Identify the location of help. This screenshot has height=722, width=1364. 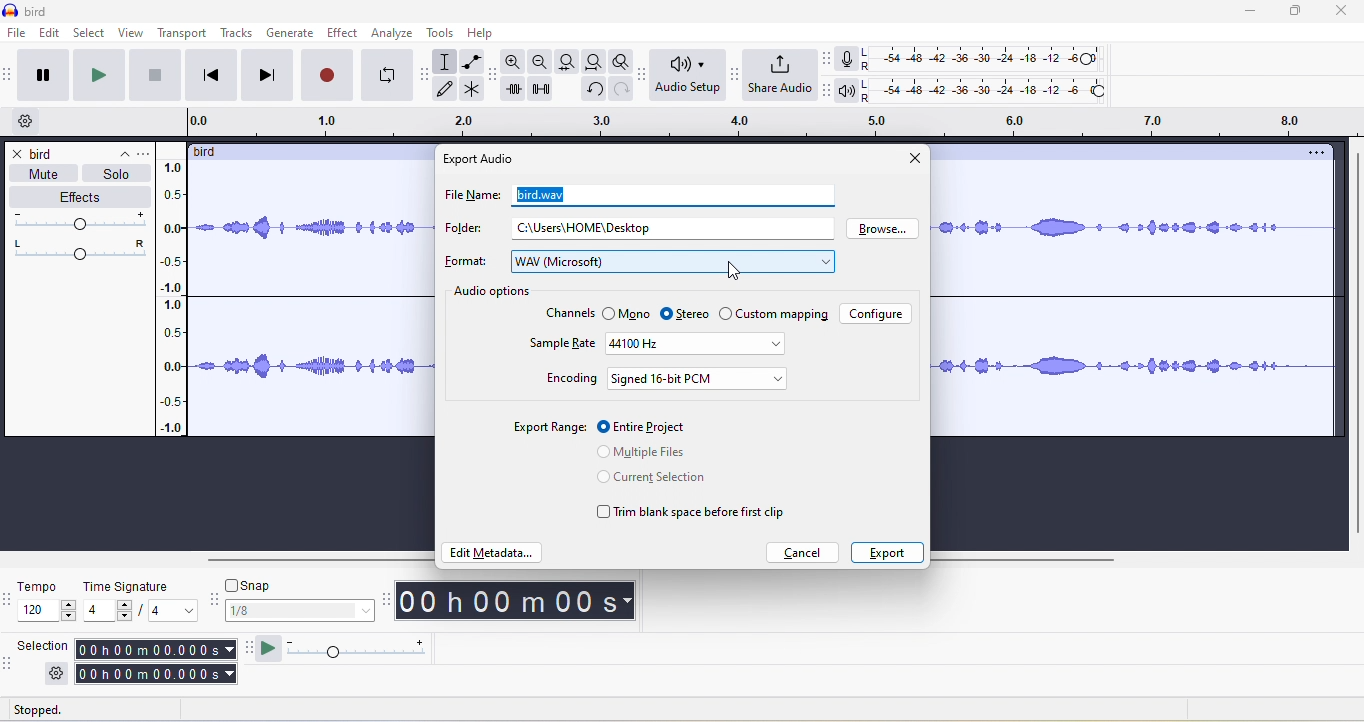
(485, 33).